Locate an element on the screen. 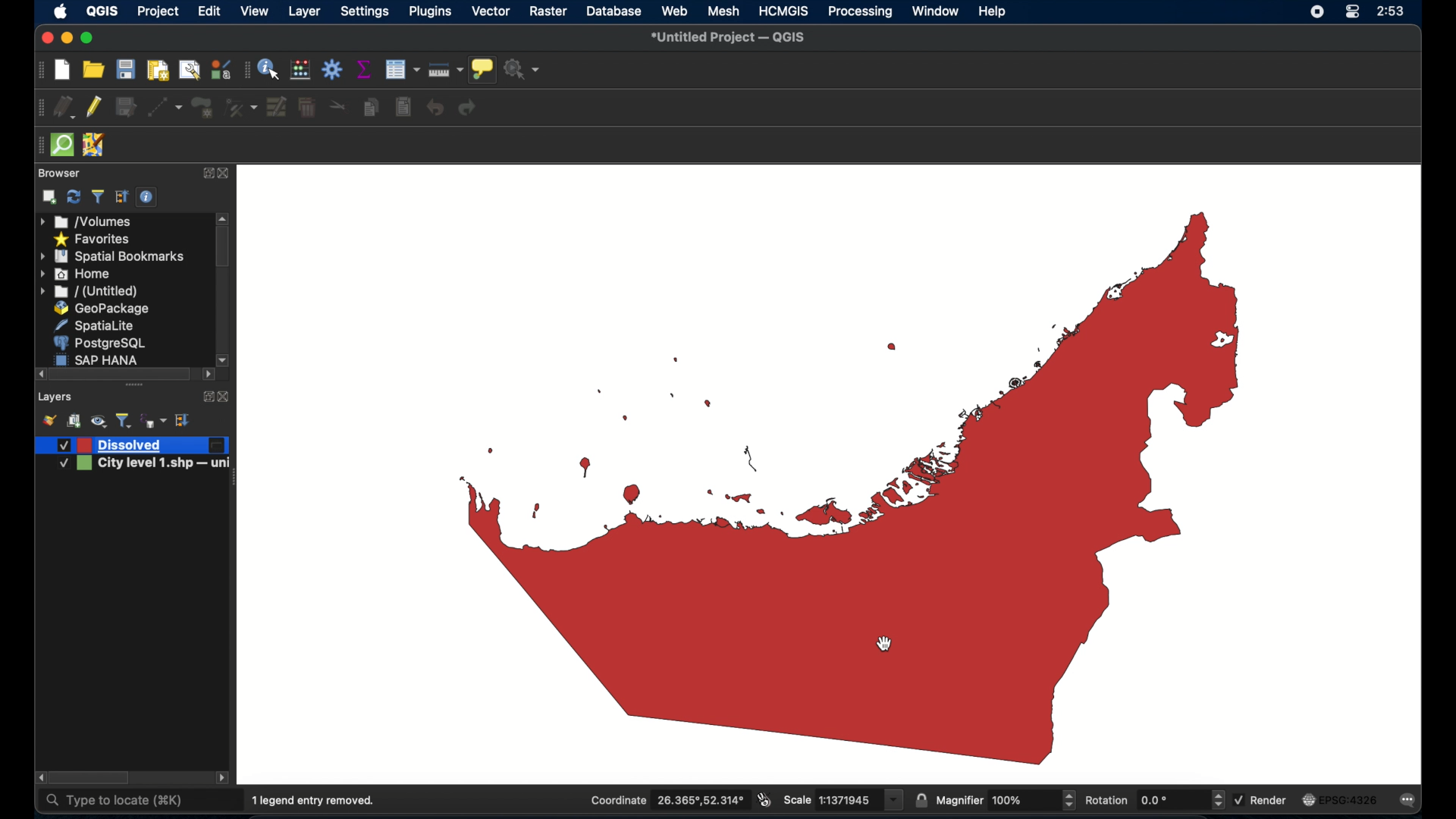  current crs is located at coordinates (1339, 799).